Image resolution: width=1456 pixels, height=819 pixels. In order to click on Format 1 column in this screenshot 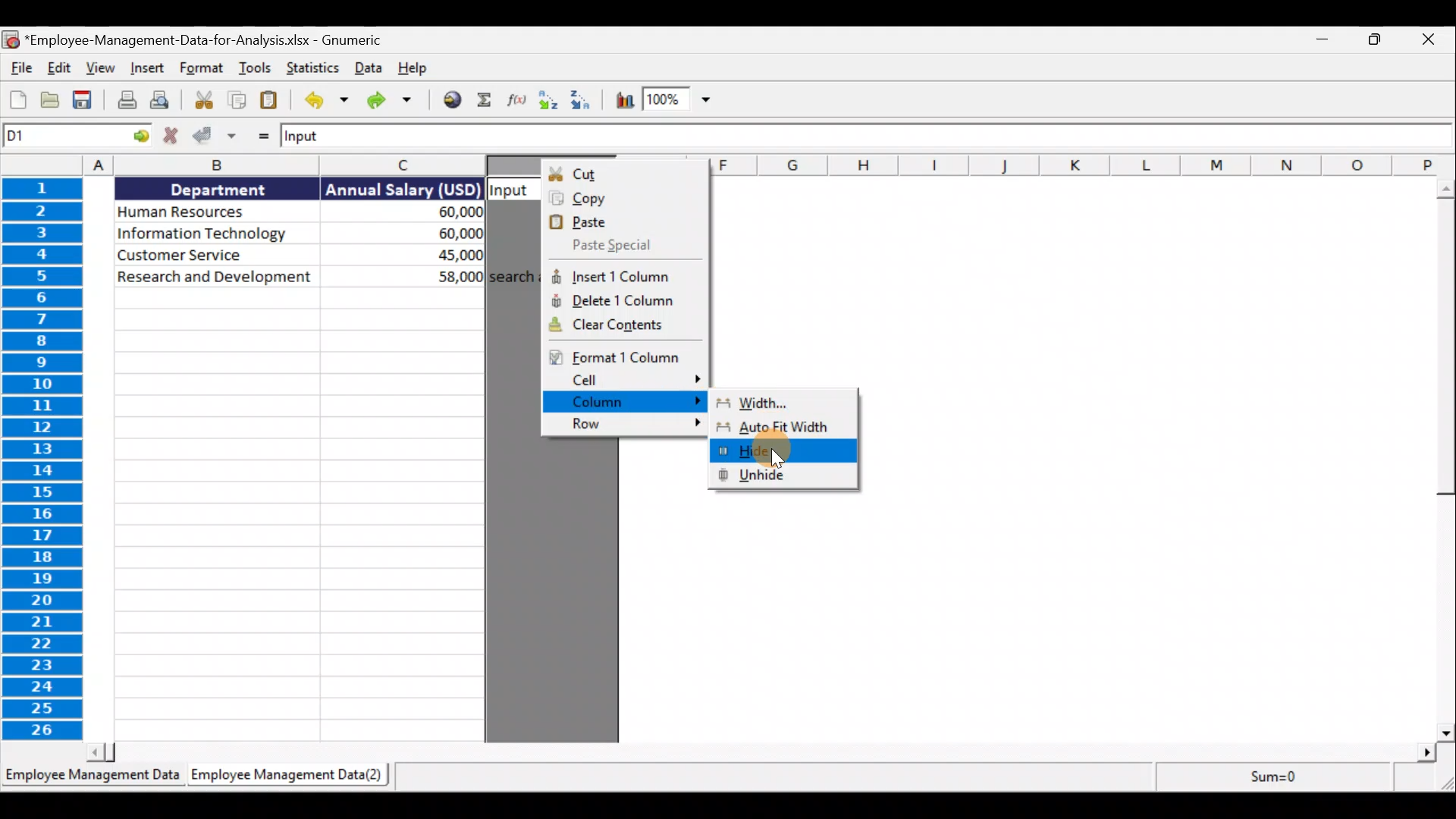, I will do `click(622, 356)`.